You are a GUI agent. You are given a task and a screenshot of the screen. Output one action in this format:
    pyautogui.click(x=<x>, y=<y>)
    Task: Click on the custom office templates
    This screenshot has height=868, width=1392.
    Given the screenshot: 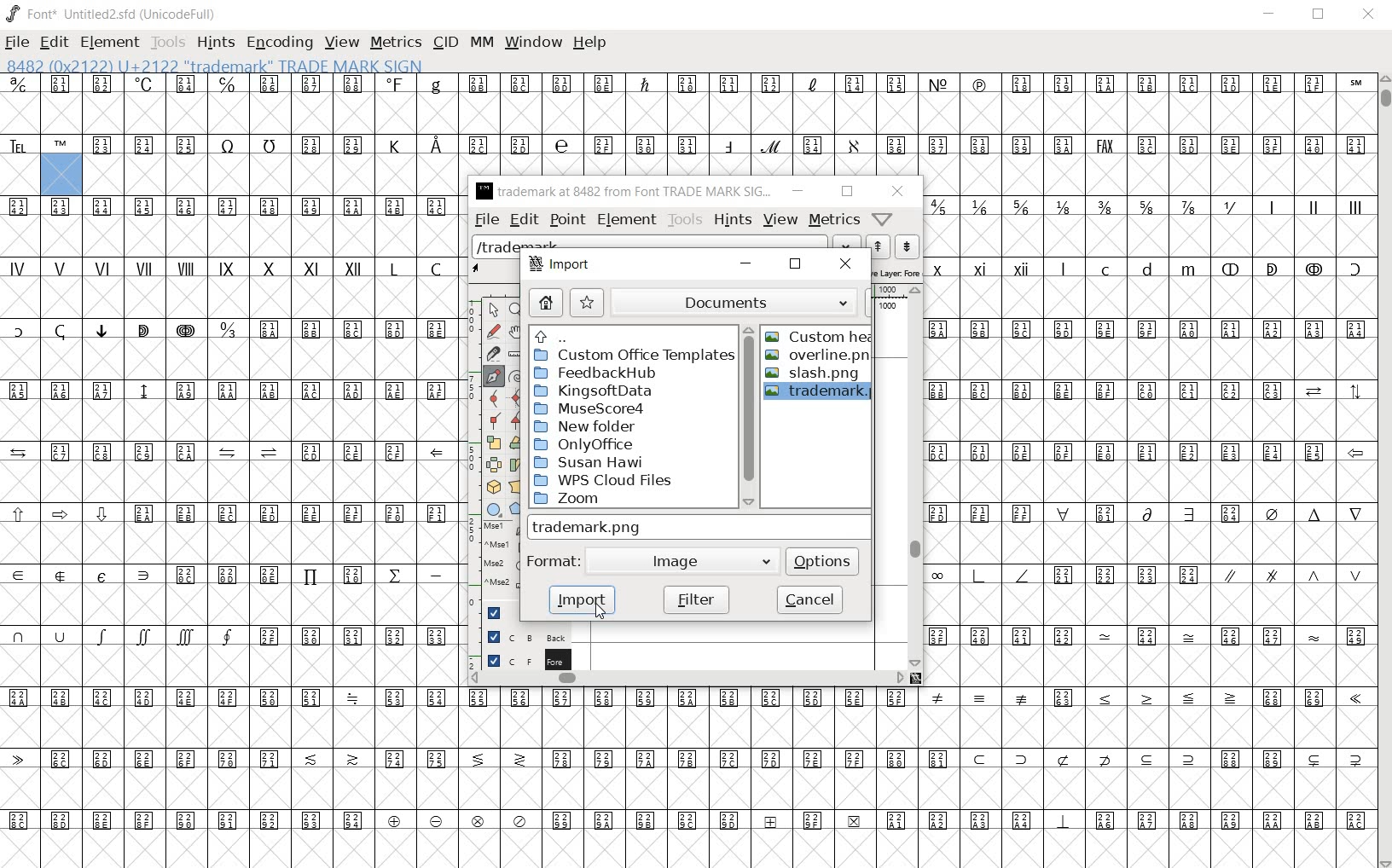 What is the action you would take?
    pyautogui.click(x=635, y=355)
    